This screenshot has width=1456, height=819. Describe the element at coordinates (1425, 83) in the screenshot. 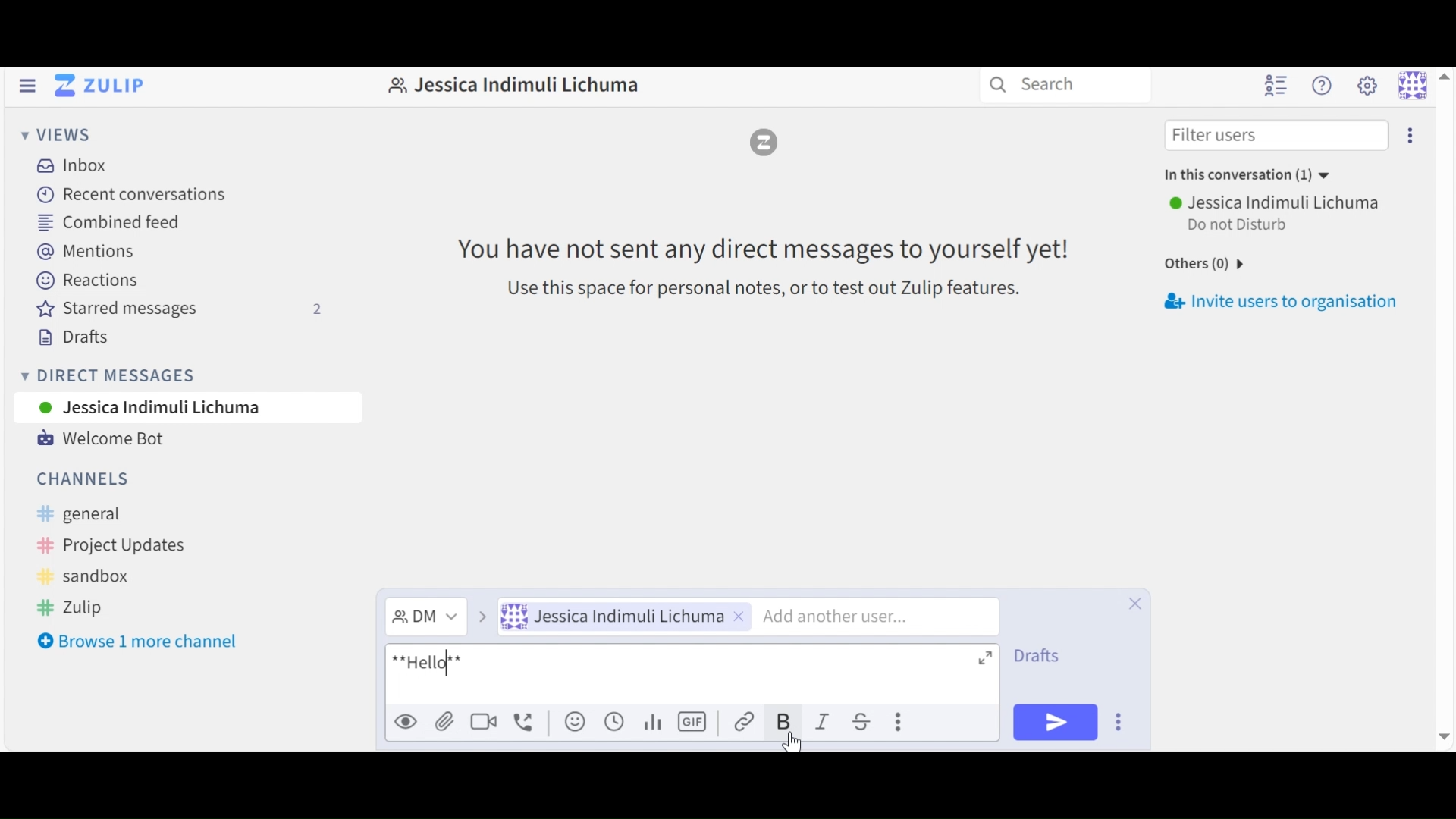

I see `Personal menu` at that location.